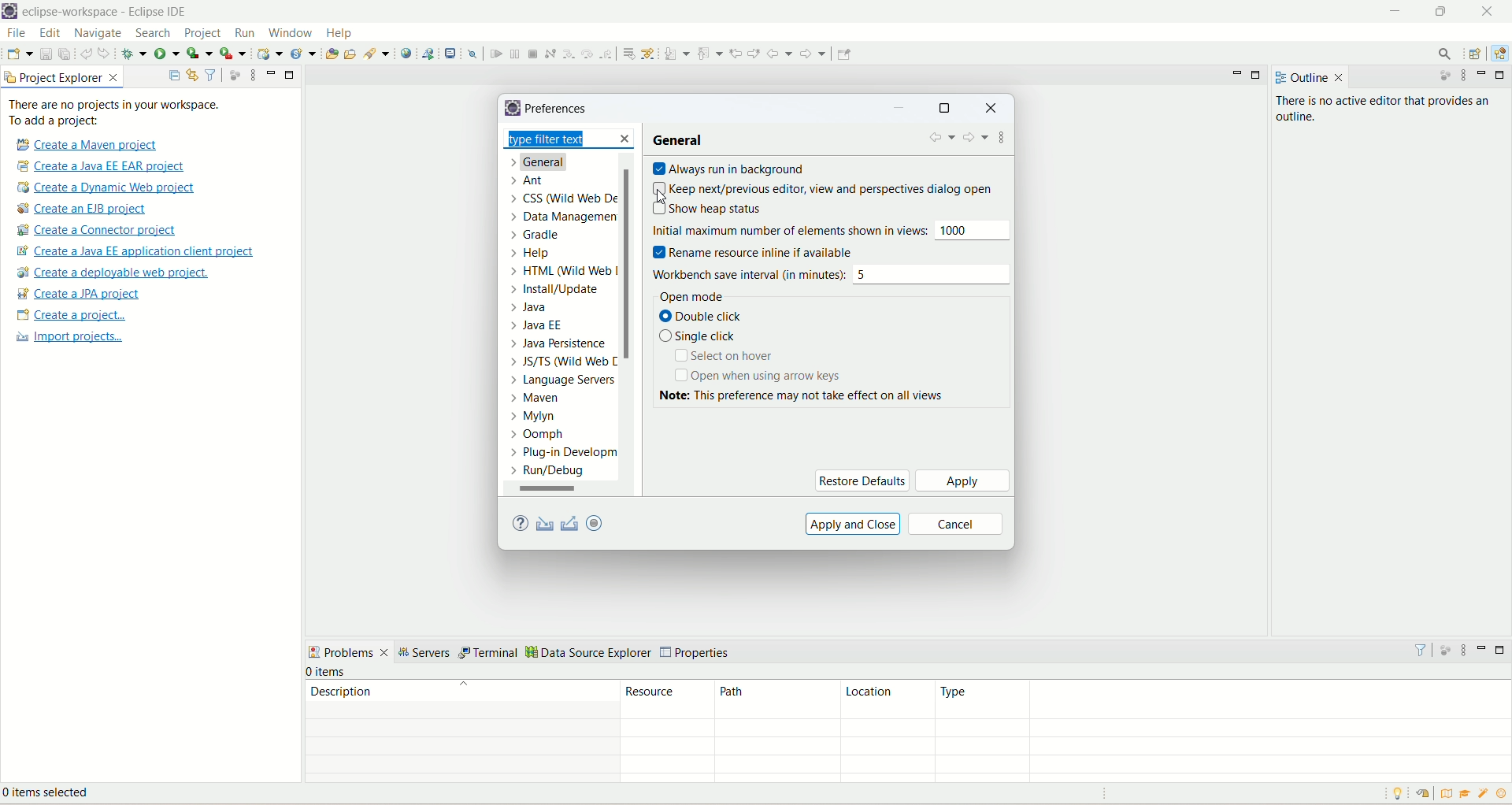  I want to click on data management, so click(568, 219).